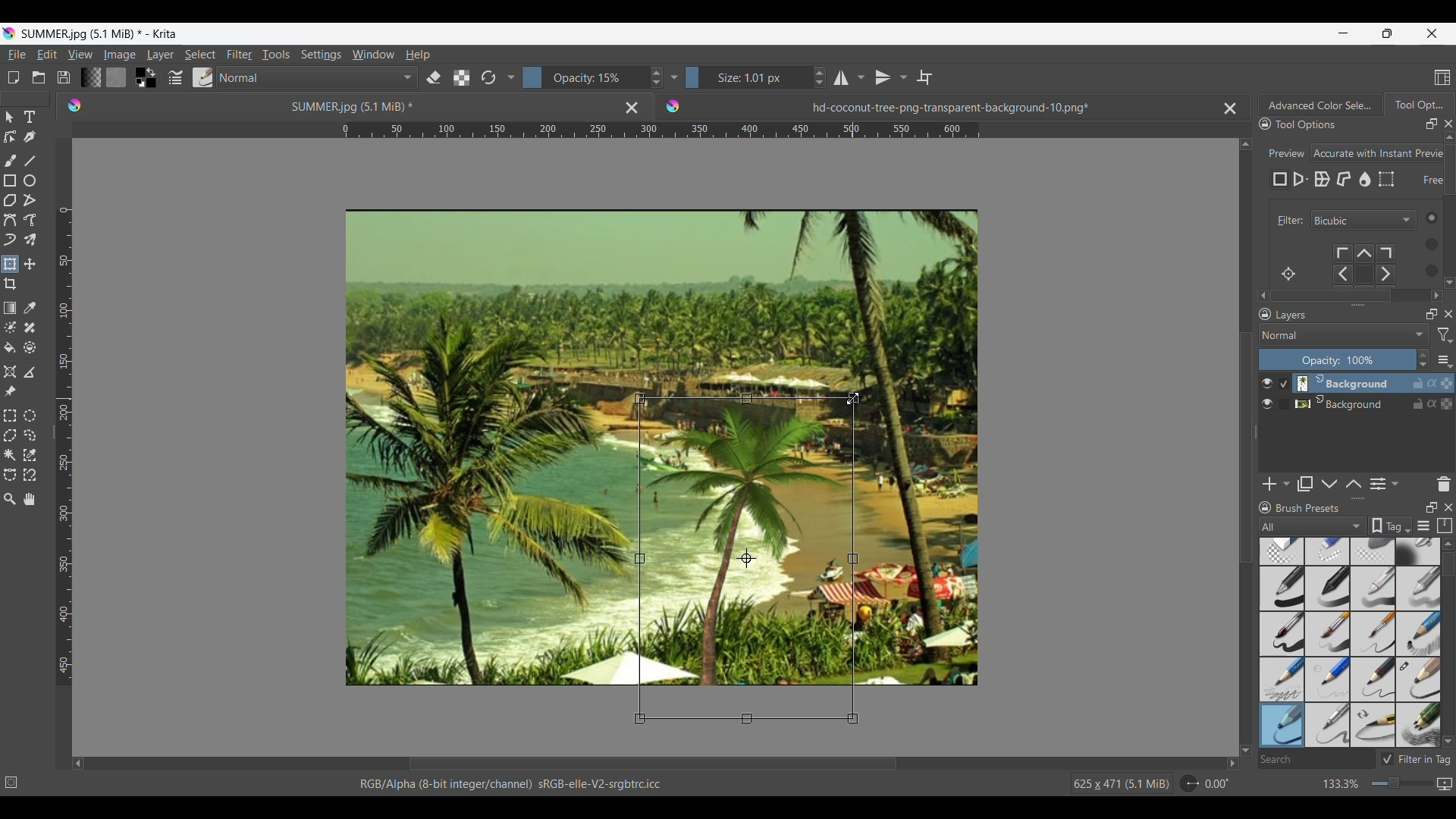 Image resolution: width=1456 pixels, height=819 pixels. Describe the element at coordinates (1257, 432) in the screenshot. I see `Expand/Collapse` at that location.